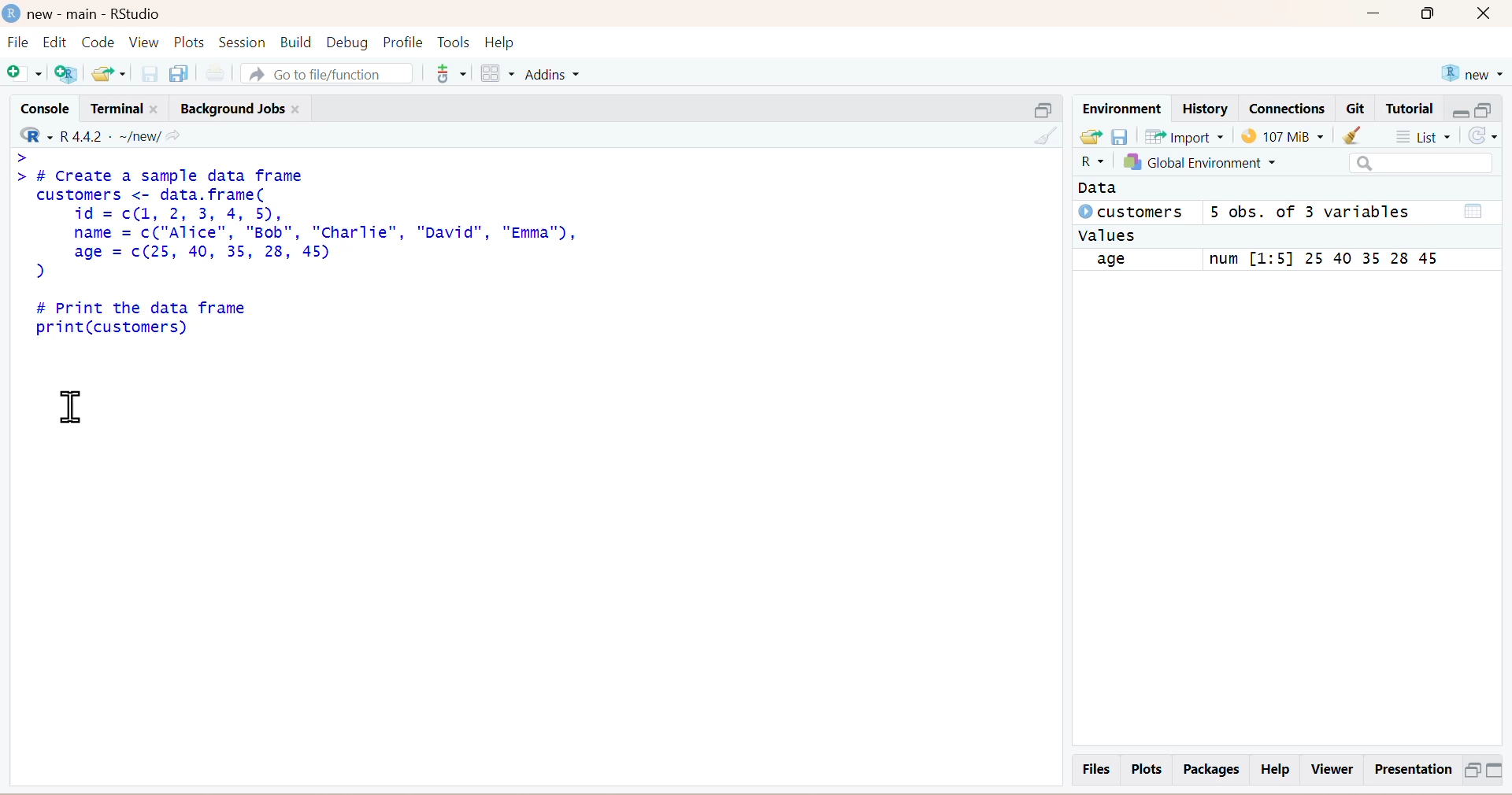 The height and width of the screenshot is (795, 1512). Describe the element at coordinates (1486, 109) in the screenshot. I see `maximise` at that location.